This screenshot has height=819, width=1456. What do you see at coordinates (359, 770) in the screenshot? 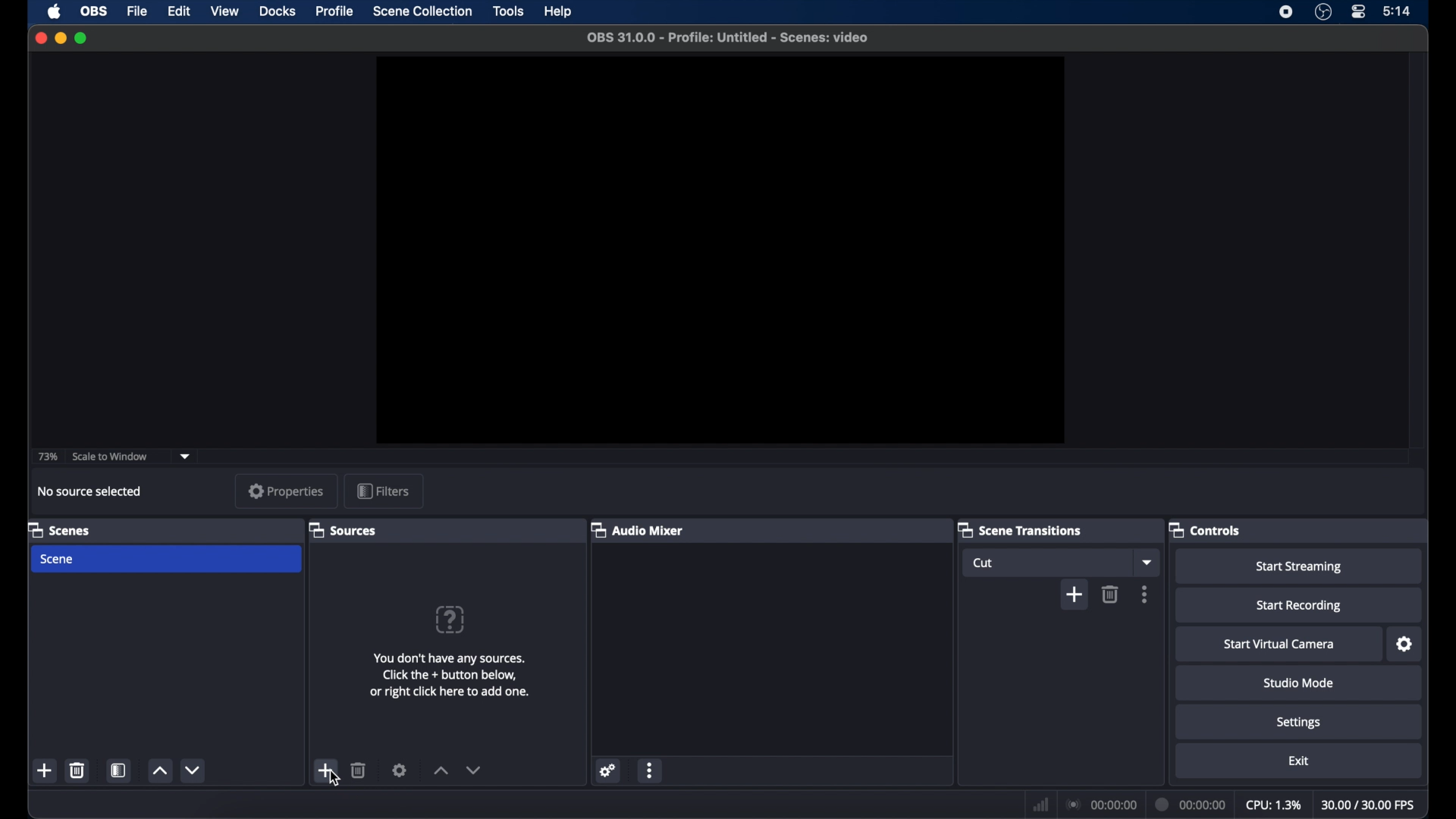
I see `delete` at bounding box center [359, 770].